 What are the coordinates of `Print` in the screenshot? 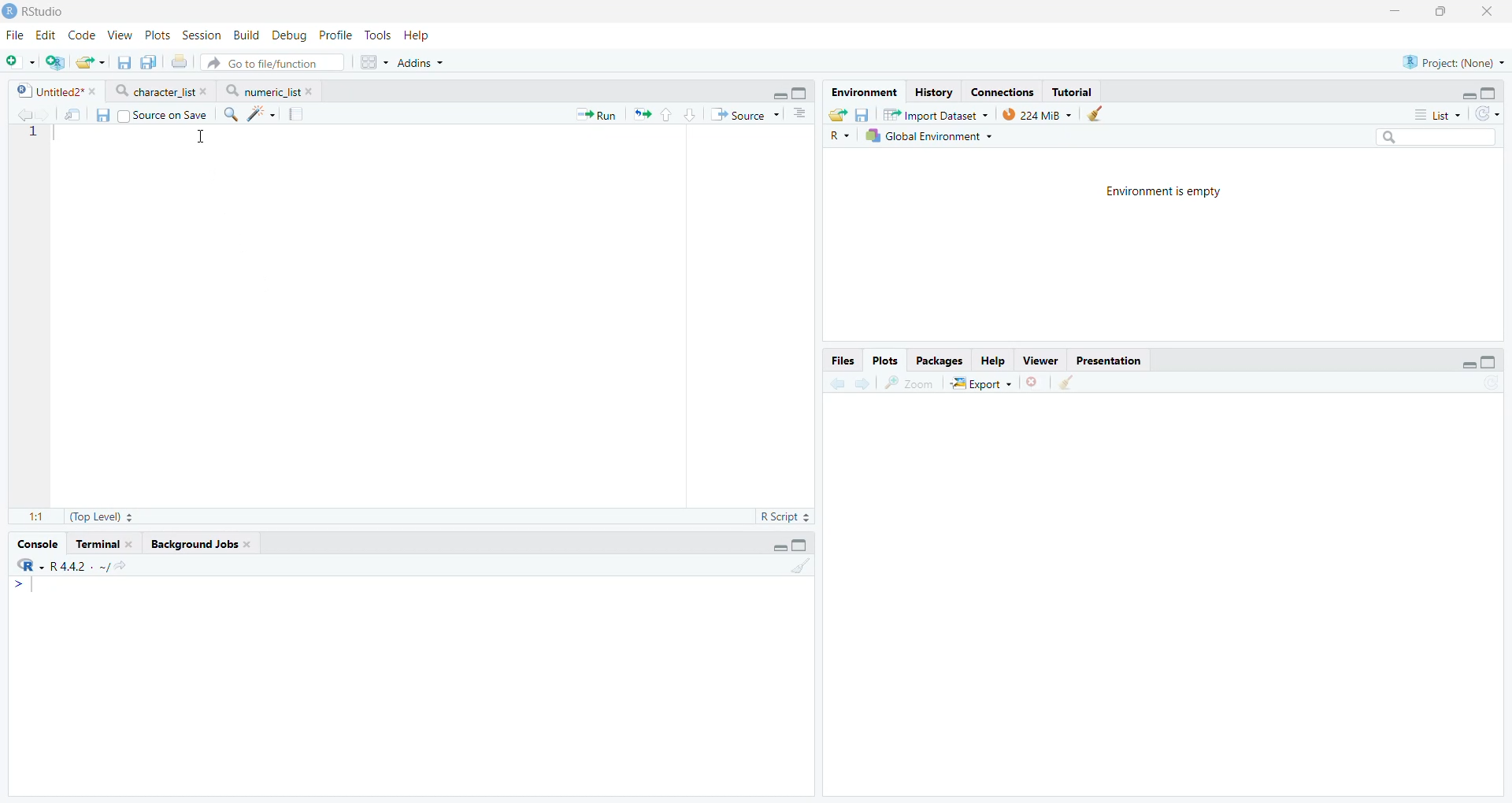 It's located at (179, 61).